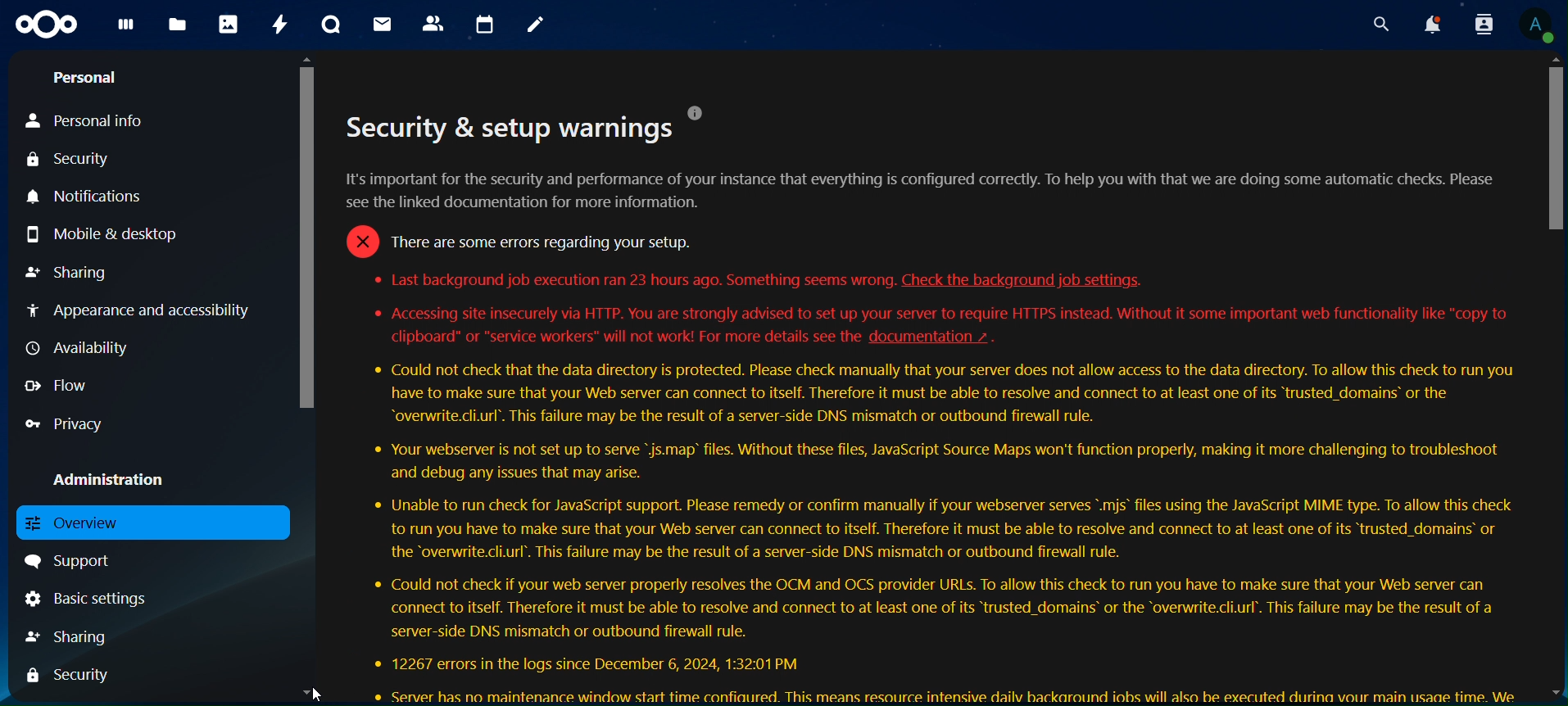 Image resolution: width=1568 pixels, height=706 pixels. What do you see at coordinates (70, 638) in the screenshot?
I see `sharing` at bounding box center [70, 638].